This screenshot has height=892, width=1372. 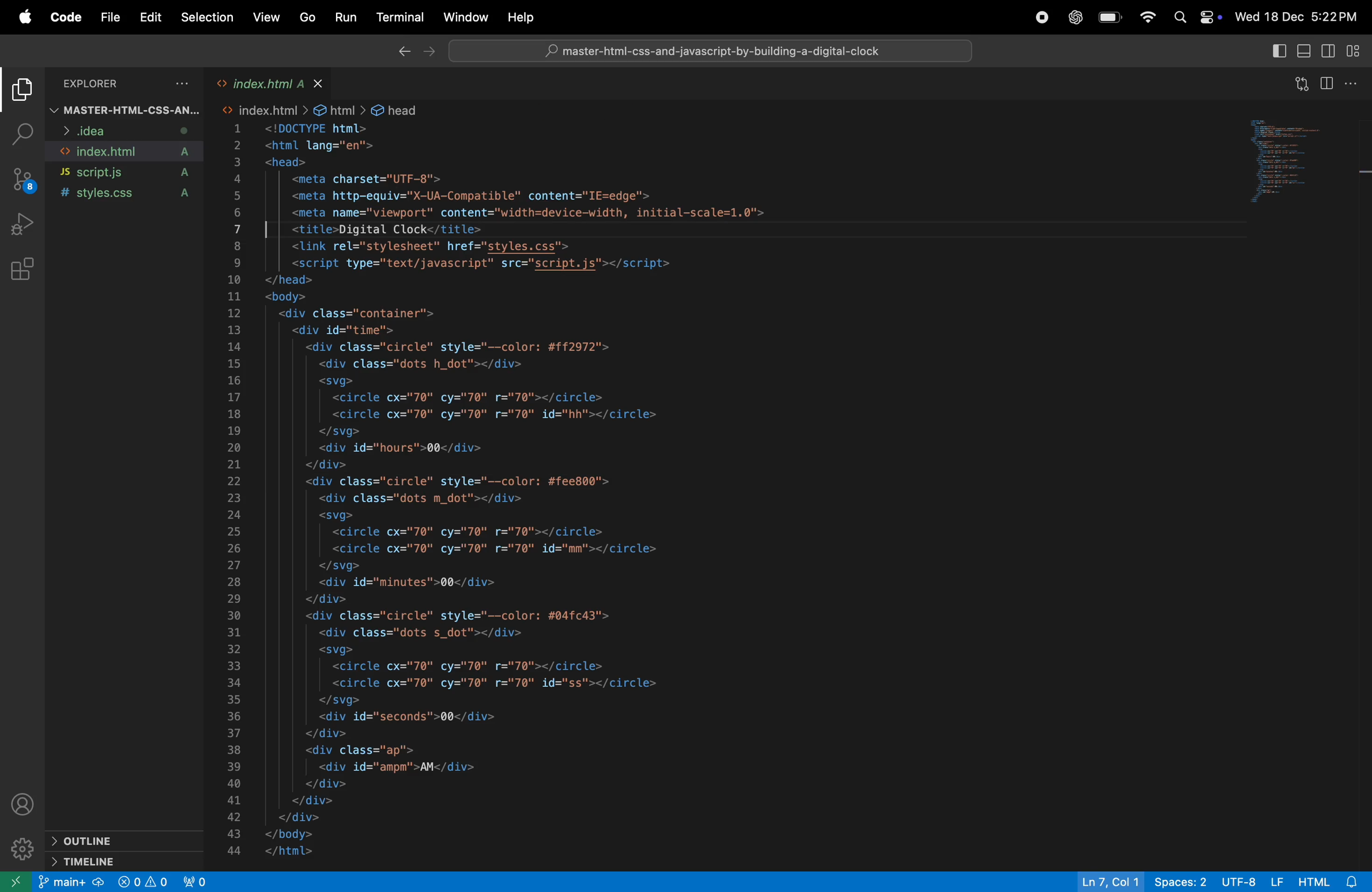 What do you see at coordinates (466, 17) in the screenshot?
I see `window` at bounding box center [466, 17].